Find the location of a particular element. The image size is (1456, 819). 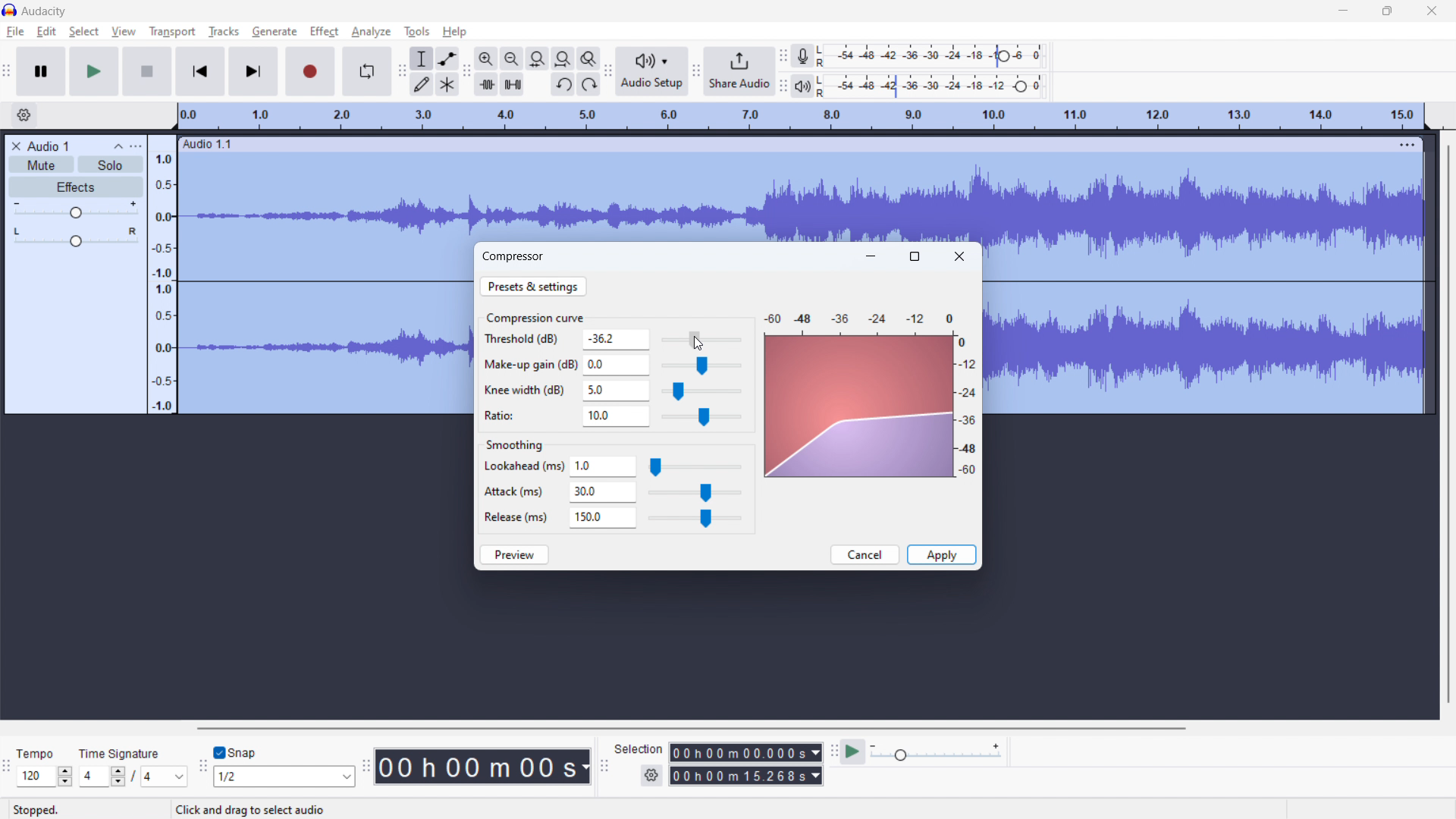

minimize is located at coordinates (1342, 11).